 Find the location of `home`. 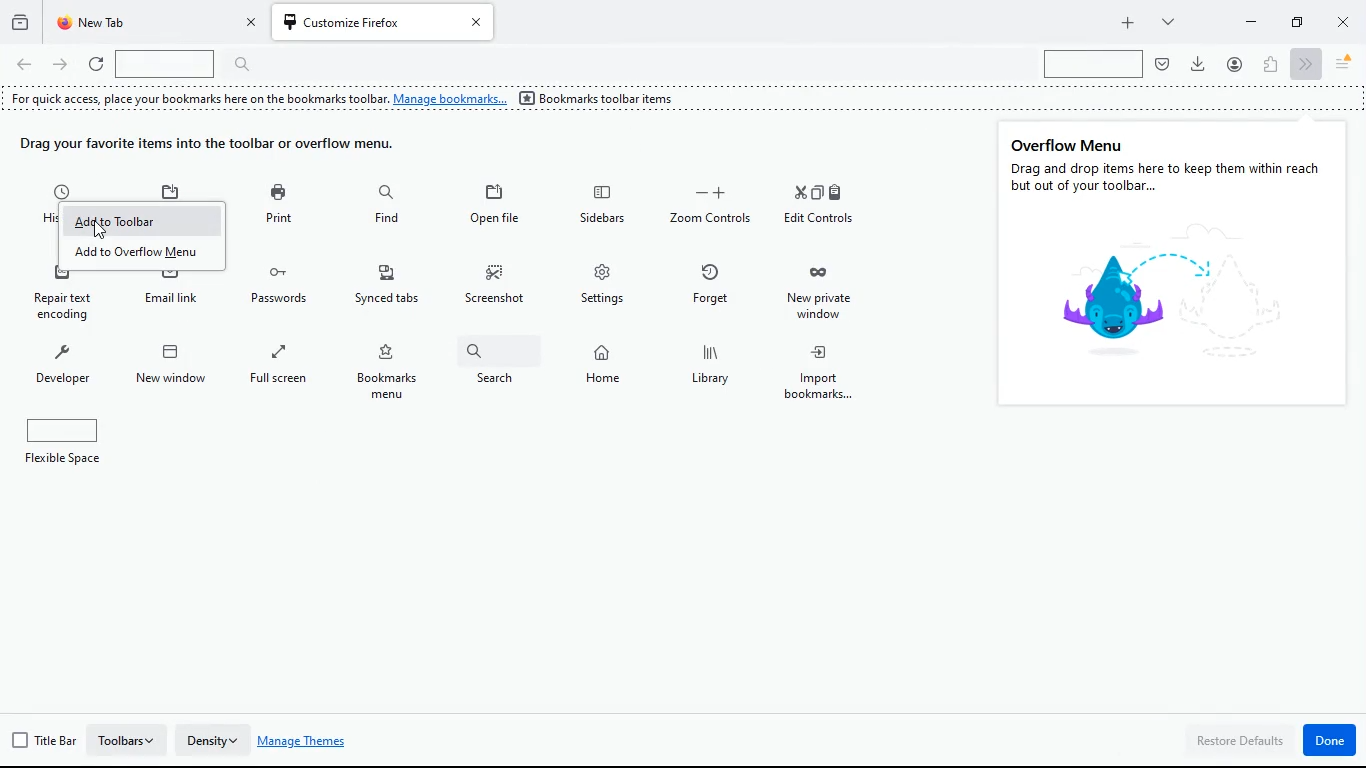

home is located at coordinates (604, 368).